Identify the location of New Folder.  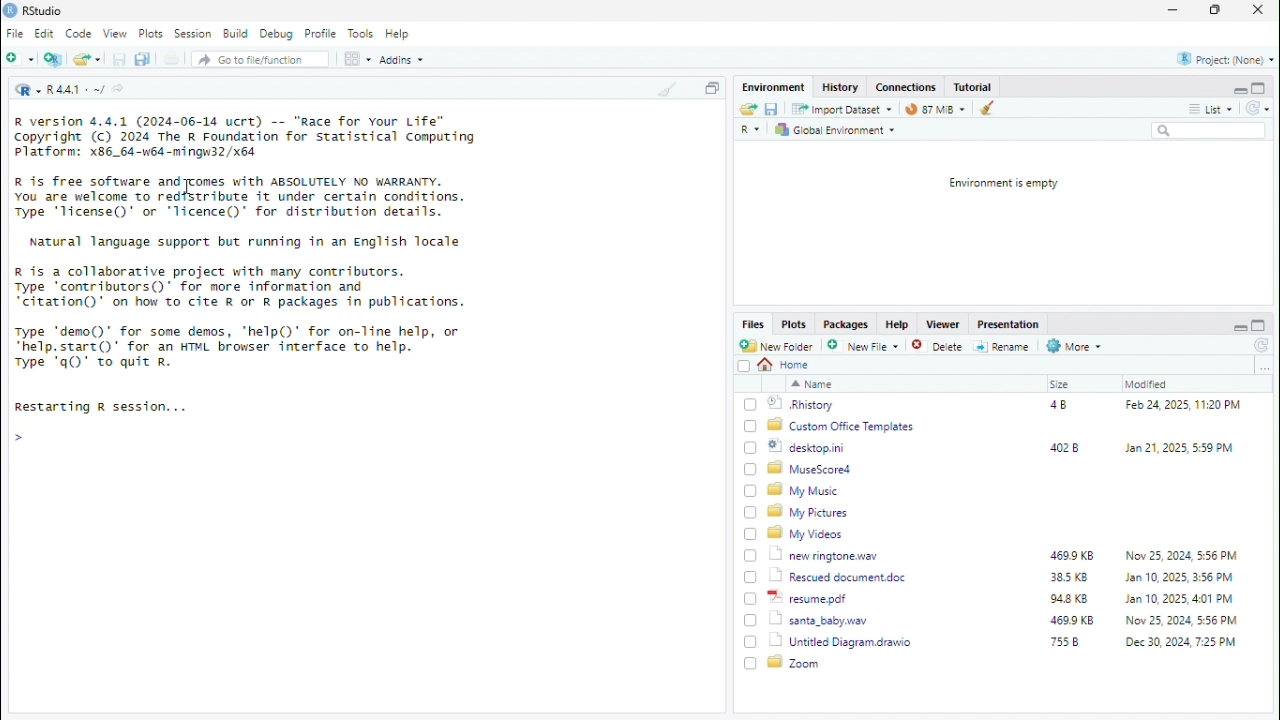
(778, 346).